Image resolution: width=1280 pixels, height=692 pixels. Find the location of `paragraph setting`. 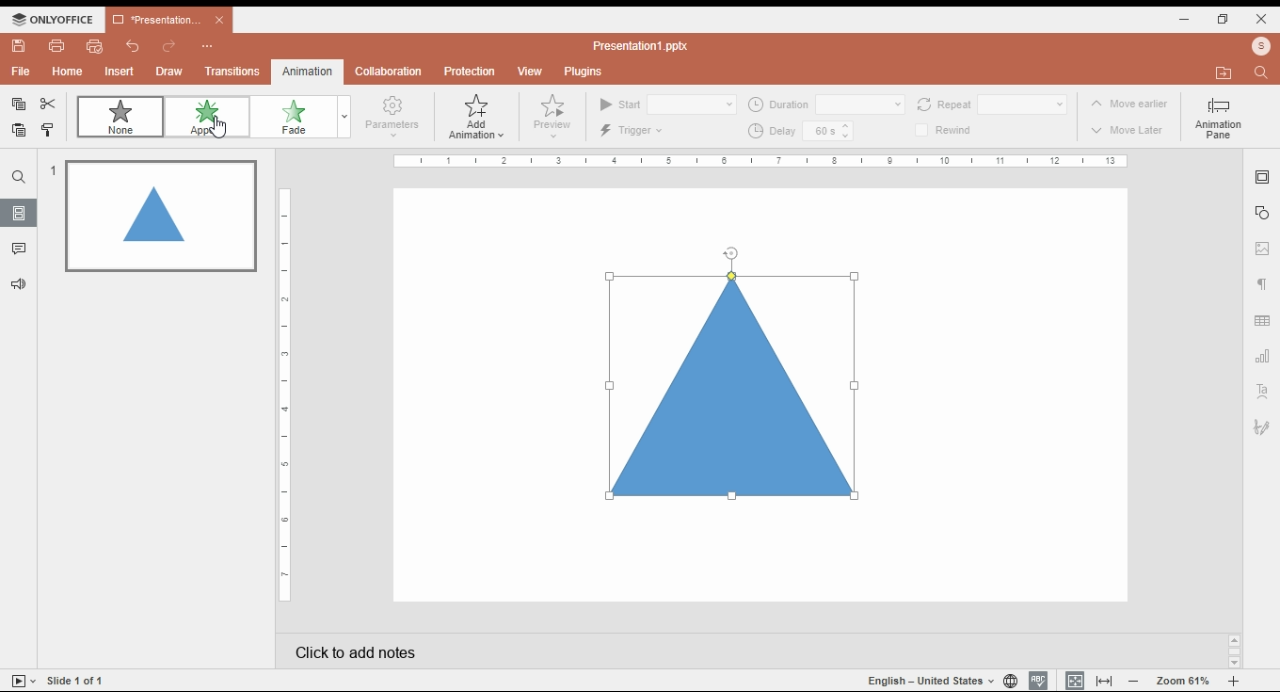

paragraph setting is located at coordinates (1266, 284).